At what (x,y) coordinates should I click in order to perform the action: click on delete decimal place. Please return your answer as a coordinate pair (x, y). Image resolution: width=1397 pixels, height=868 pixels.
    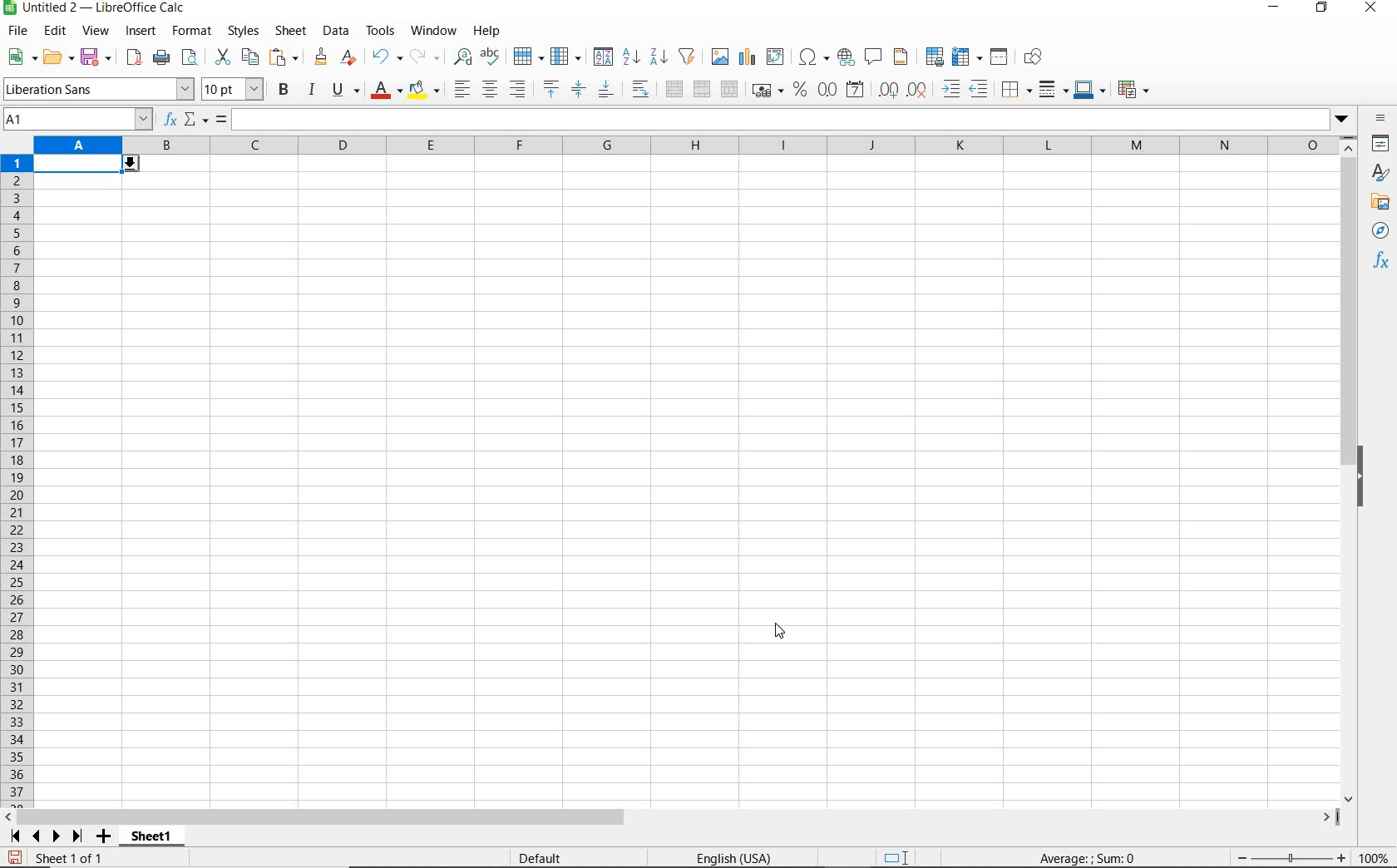
    Looking at the image, I should click on (918, 89).